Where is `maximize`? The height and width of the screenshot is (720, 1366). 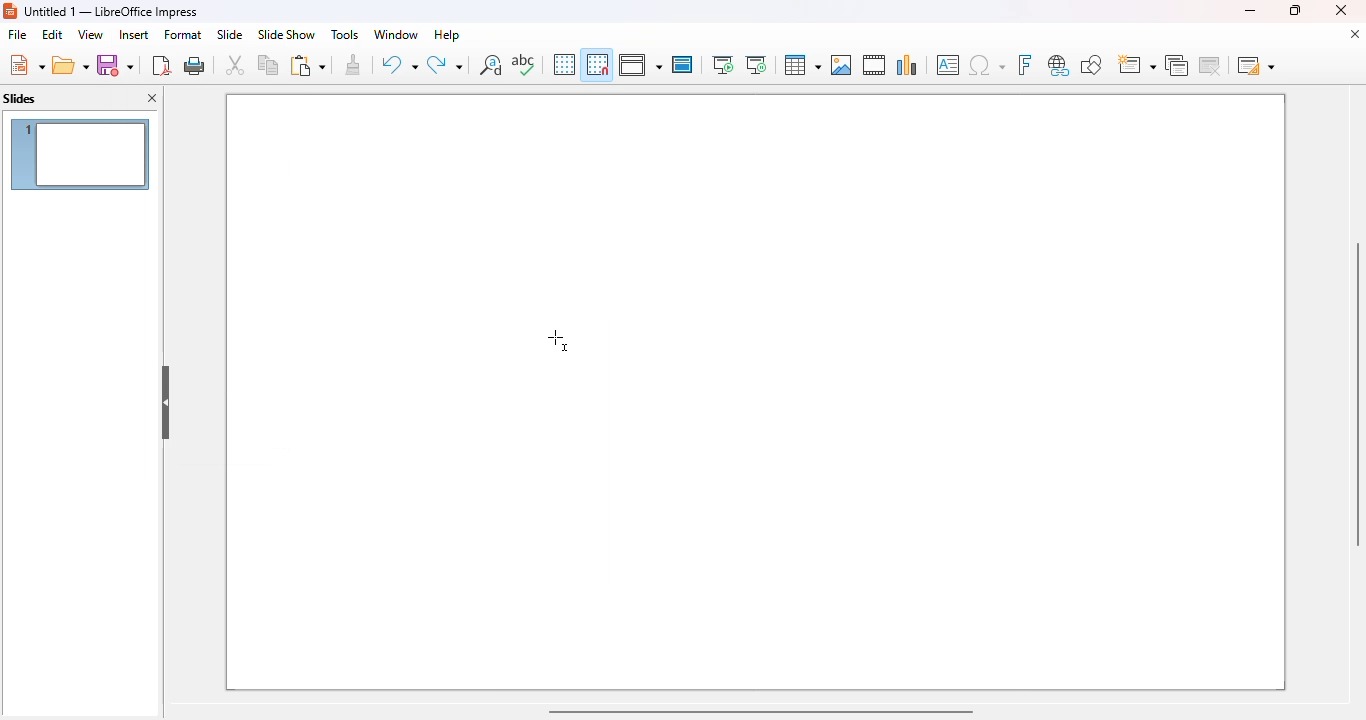 maximize is located at coordinates (1293, 10).